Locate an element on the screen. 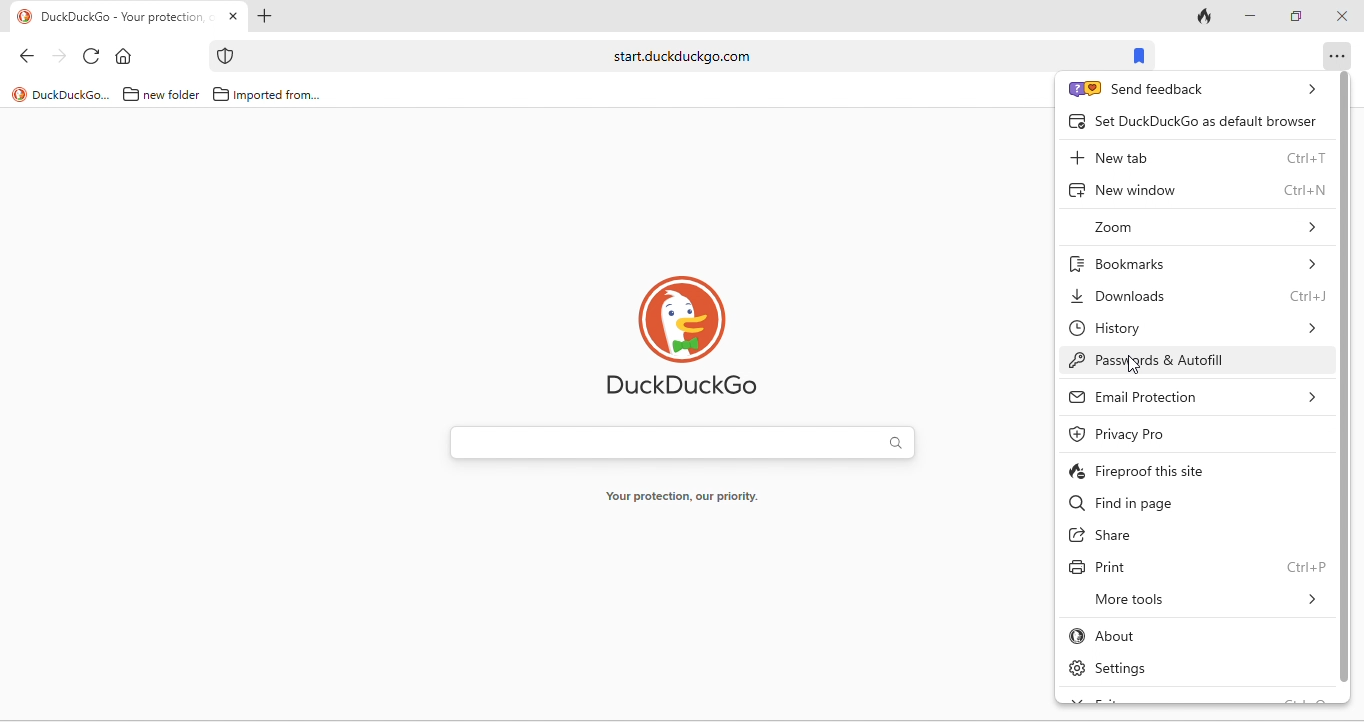  icon is located at coordinates (227, 56).